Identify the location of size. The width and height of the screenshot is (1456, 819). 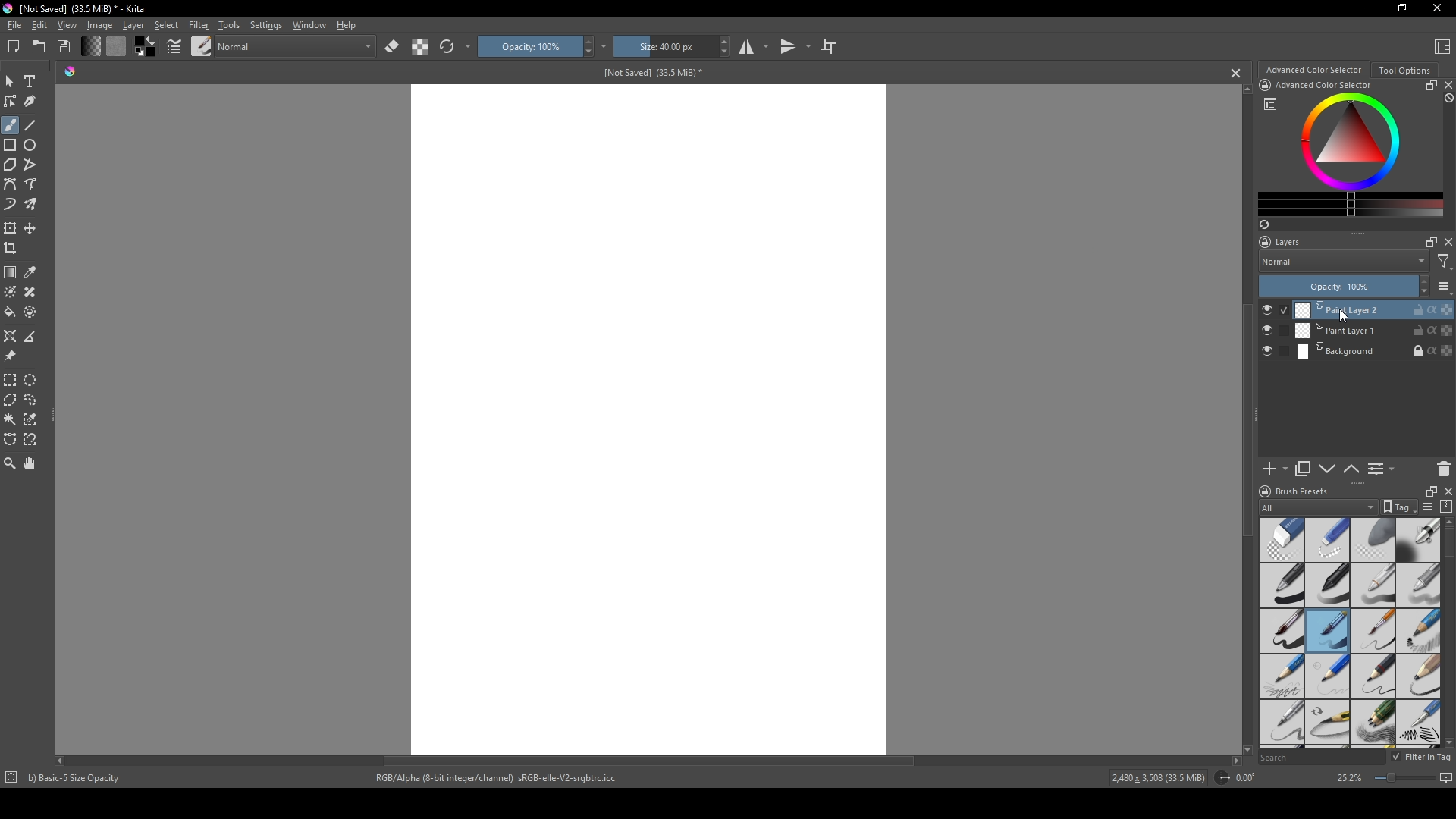
(664, 46).